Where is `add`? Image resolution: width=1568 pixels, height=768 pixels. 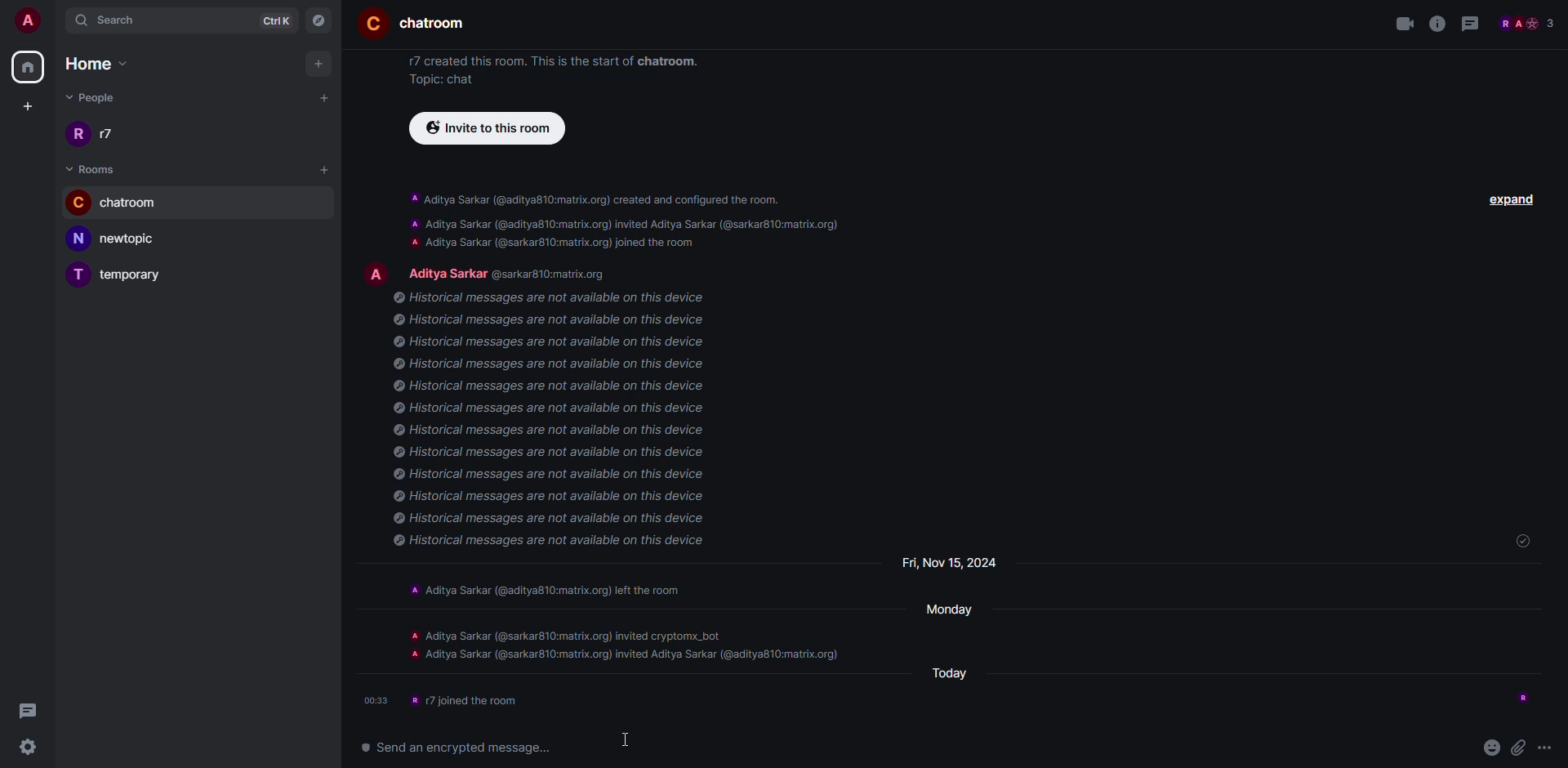
add is located at coordinates (320, 64).